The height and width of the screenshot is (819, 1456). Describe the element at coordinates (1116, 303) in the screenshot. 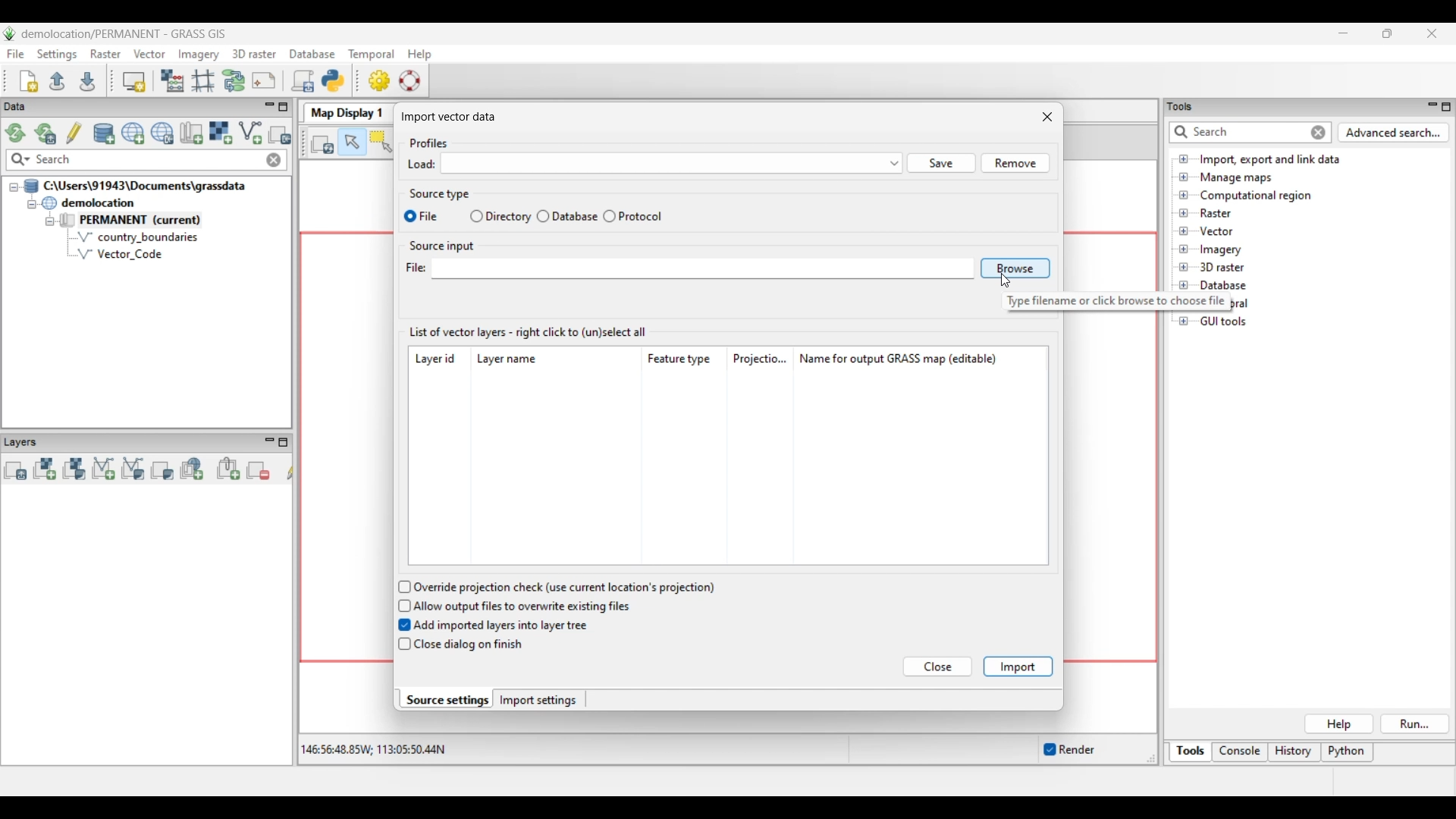

I see `Description of Browse button` at that location.